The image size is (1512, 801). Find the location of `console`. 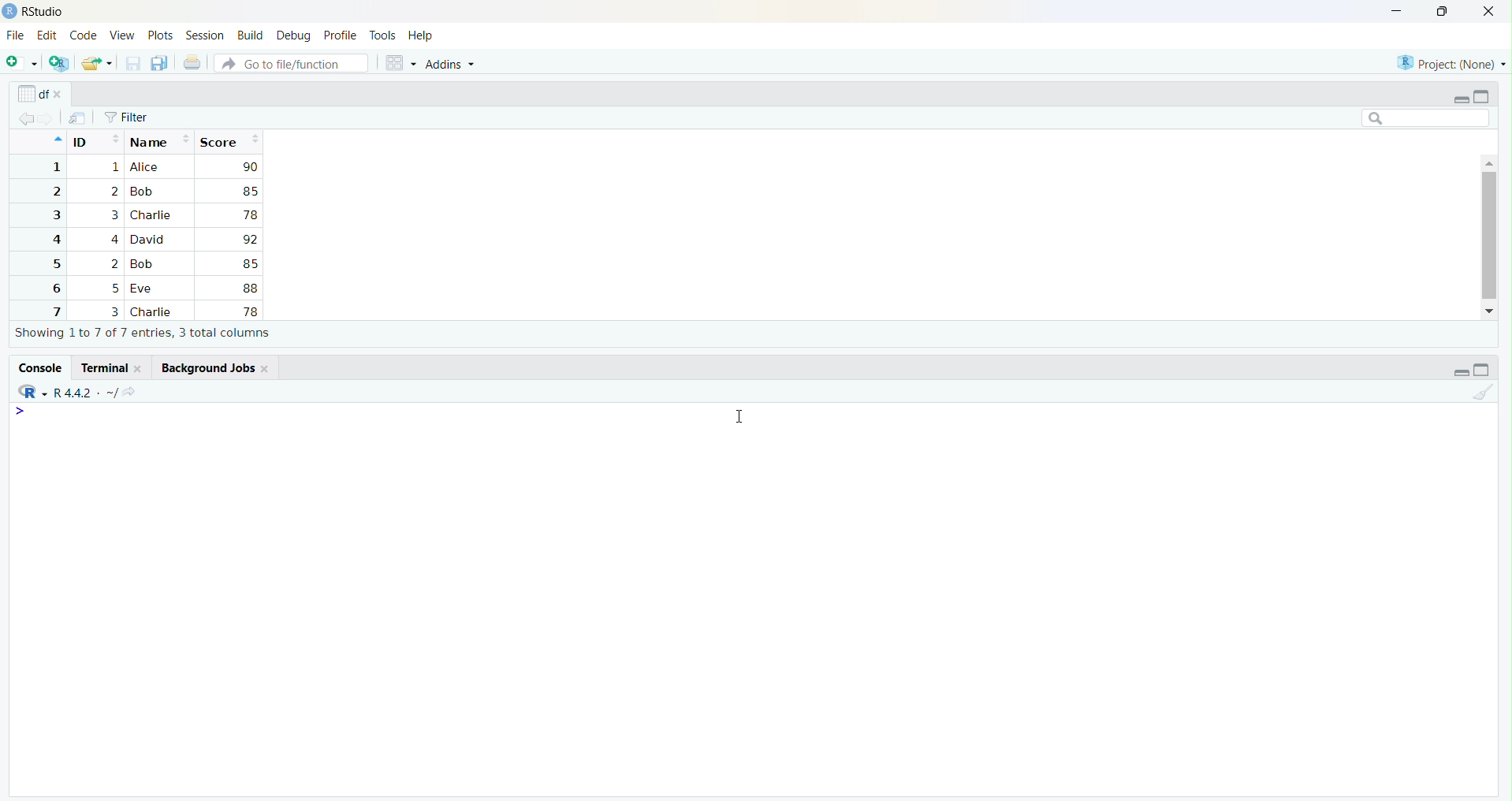

console is located at coordinates (39, 367).